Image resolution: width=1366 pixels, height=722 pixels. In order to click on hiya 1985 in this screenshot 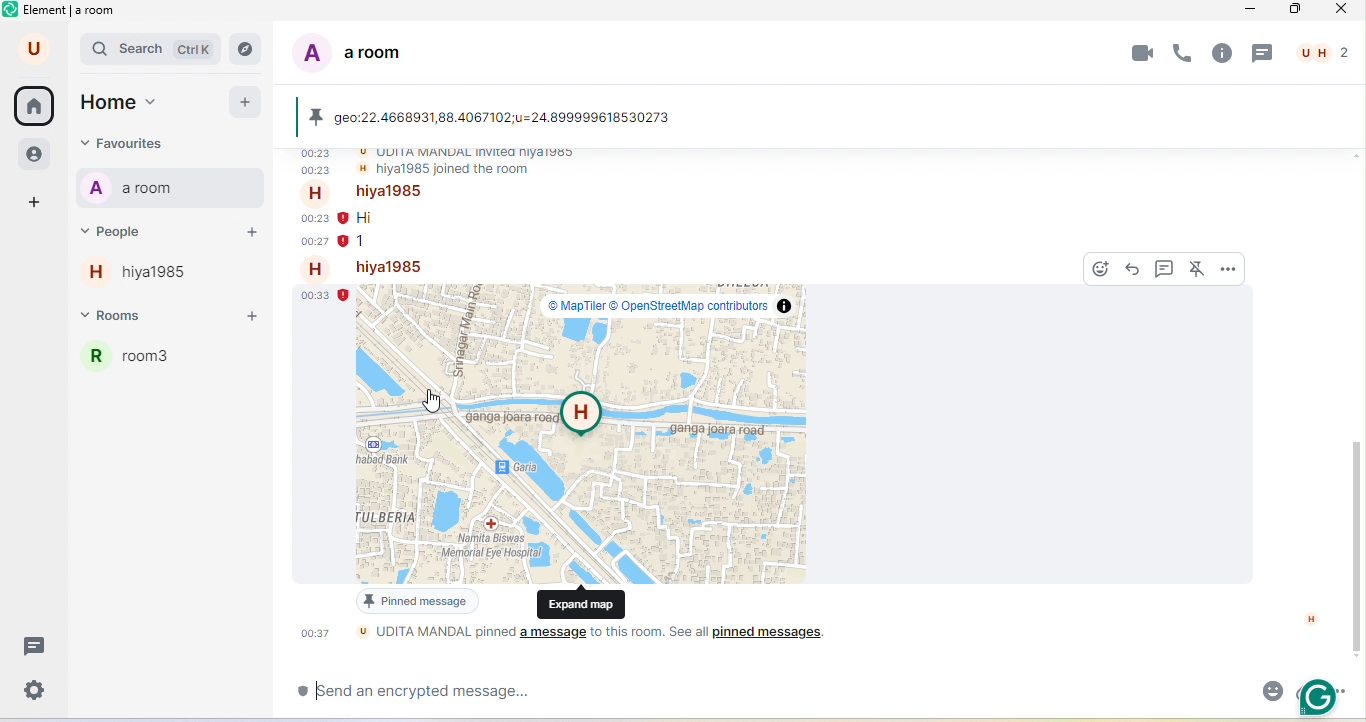, I will do `click(396, 268)`.